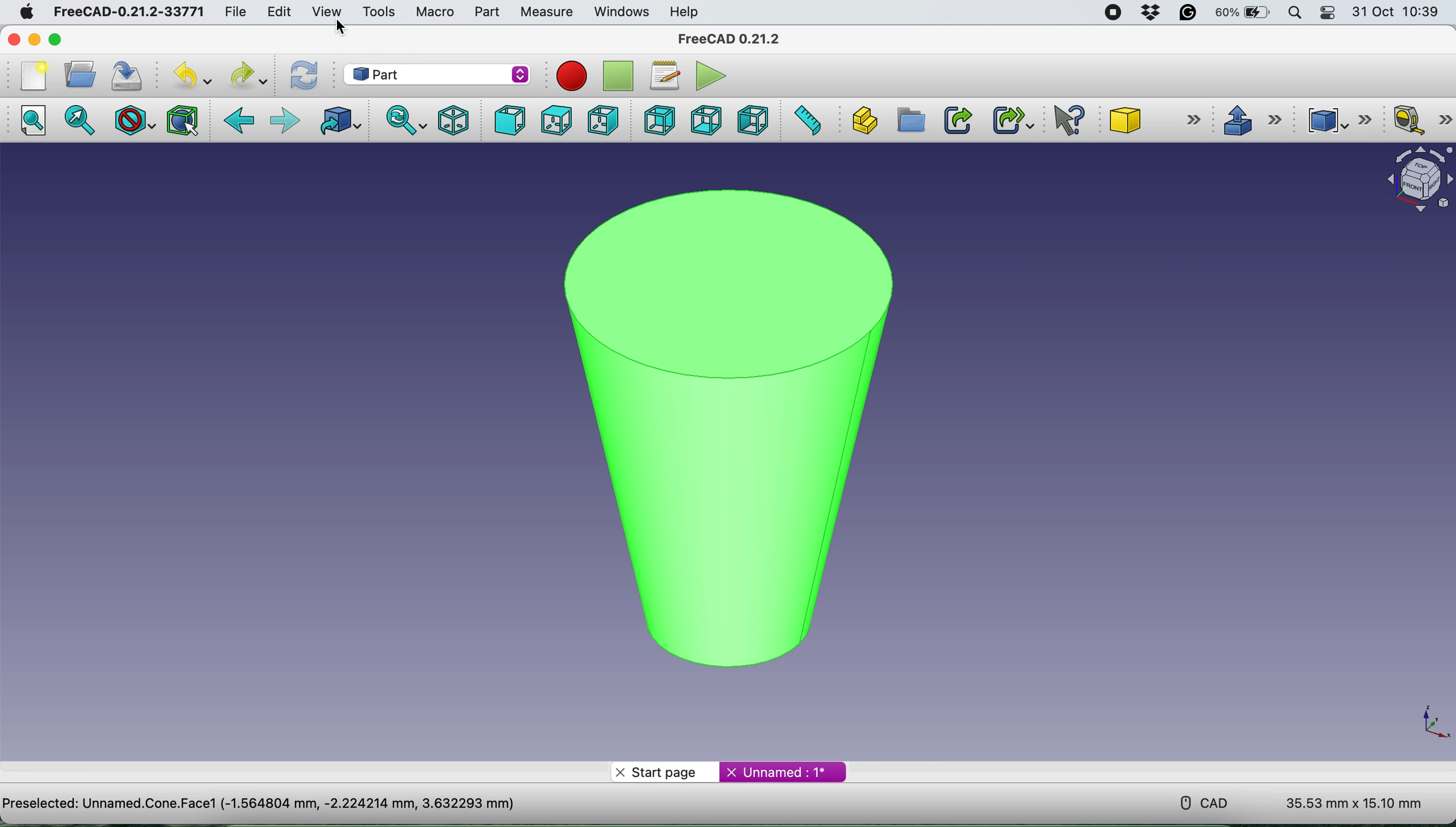 Image resolution: width=1456 pixels, height=827 pixels. Describe the element at coordinates (708, 76) in the screenshot. I see `execute macros` at that location.